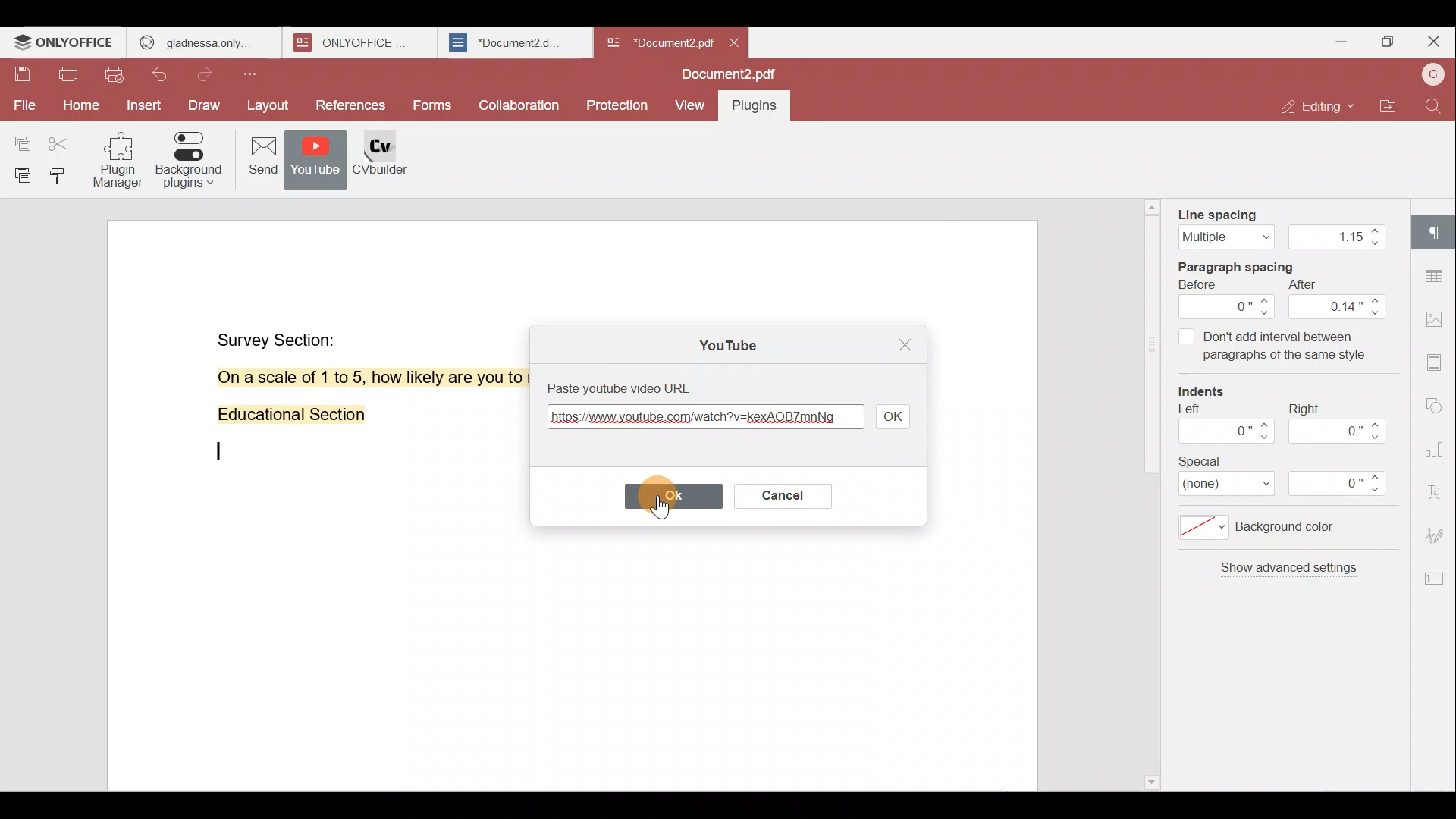 This screenshot has width=1456, height=819. I want to click on Indents, so click(1210, 393).